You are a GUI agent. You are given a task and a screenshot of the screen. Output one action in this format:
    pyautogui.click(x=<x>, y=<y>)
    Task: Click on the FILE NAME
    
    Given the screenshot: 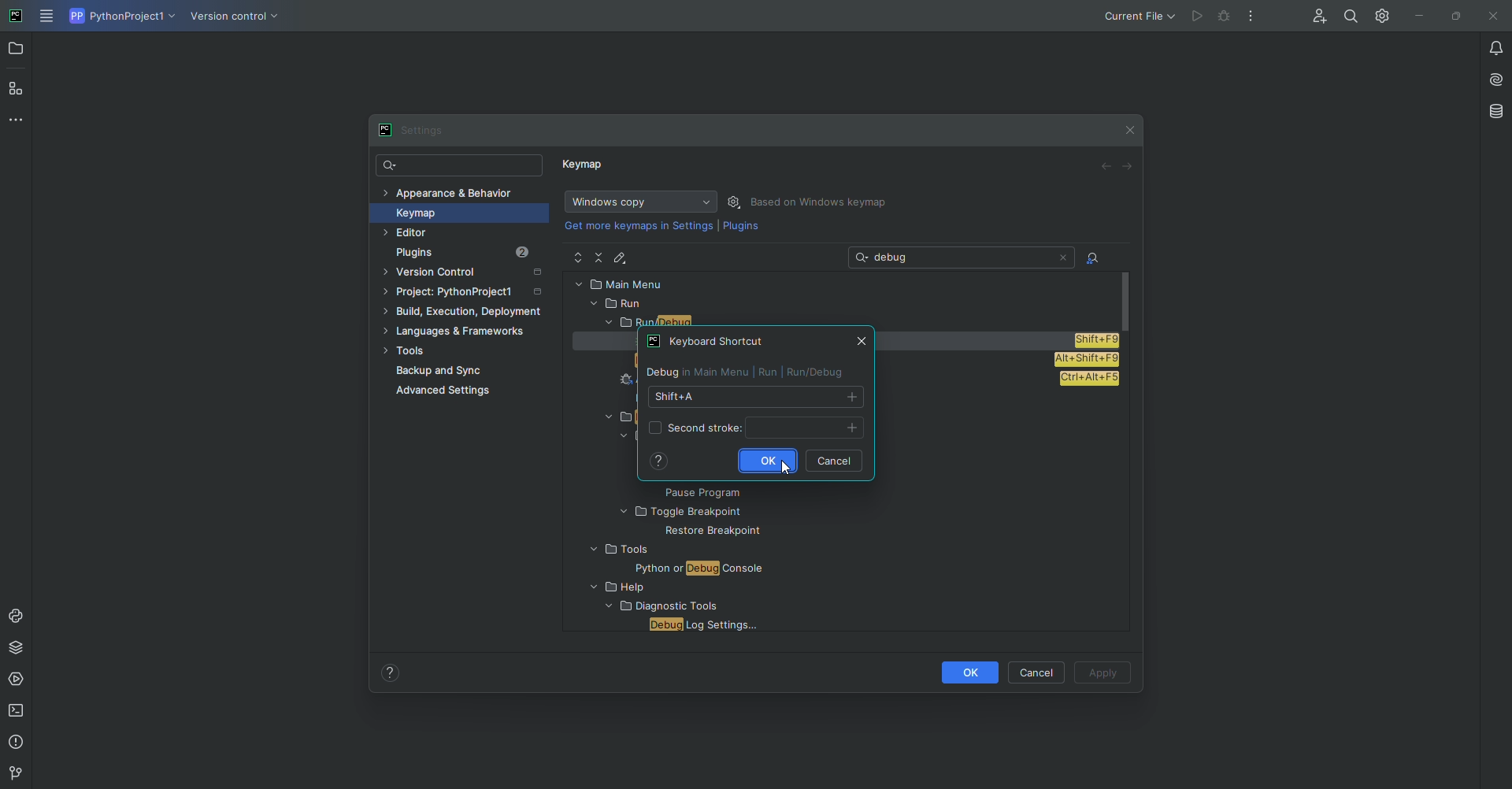 What is the action you would take?
    pyautogui.click(x=672, y=569)
    